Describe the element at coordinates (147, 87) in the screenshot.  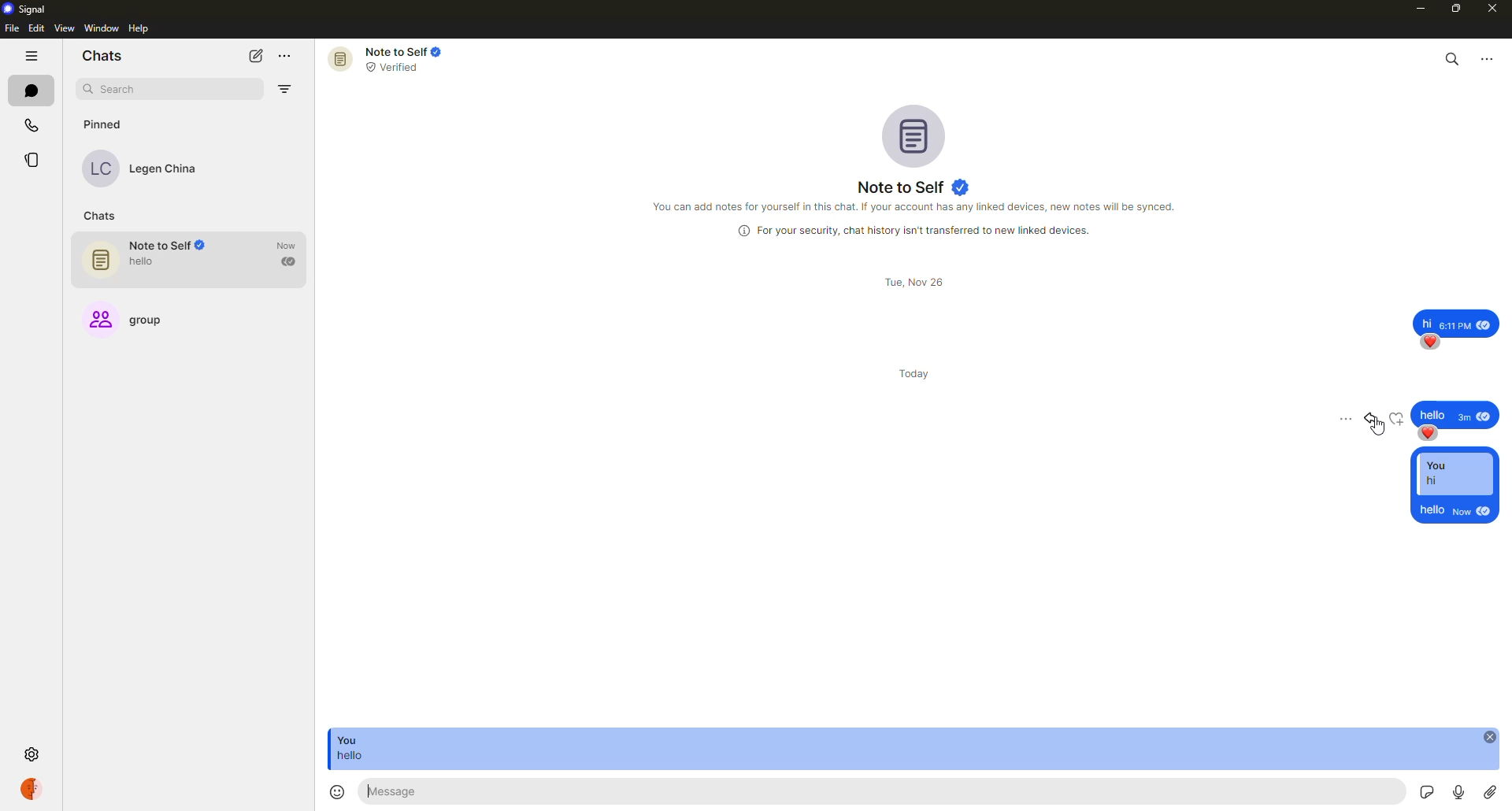
I see `search` at that location.